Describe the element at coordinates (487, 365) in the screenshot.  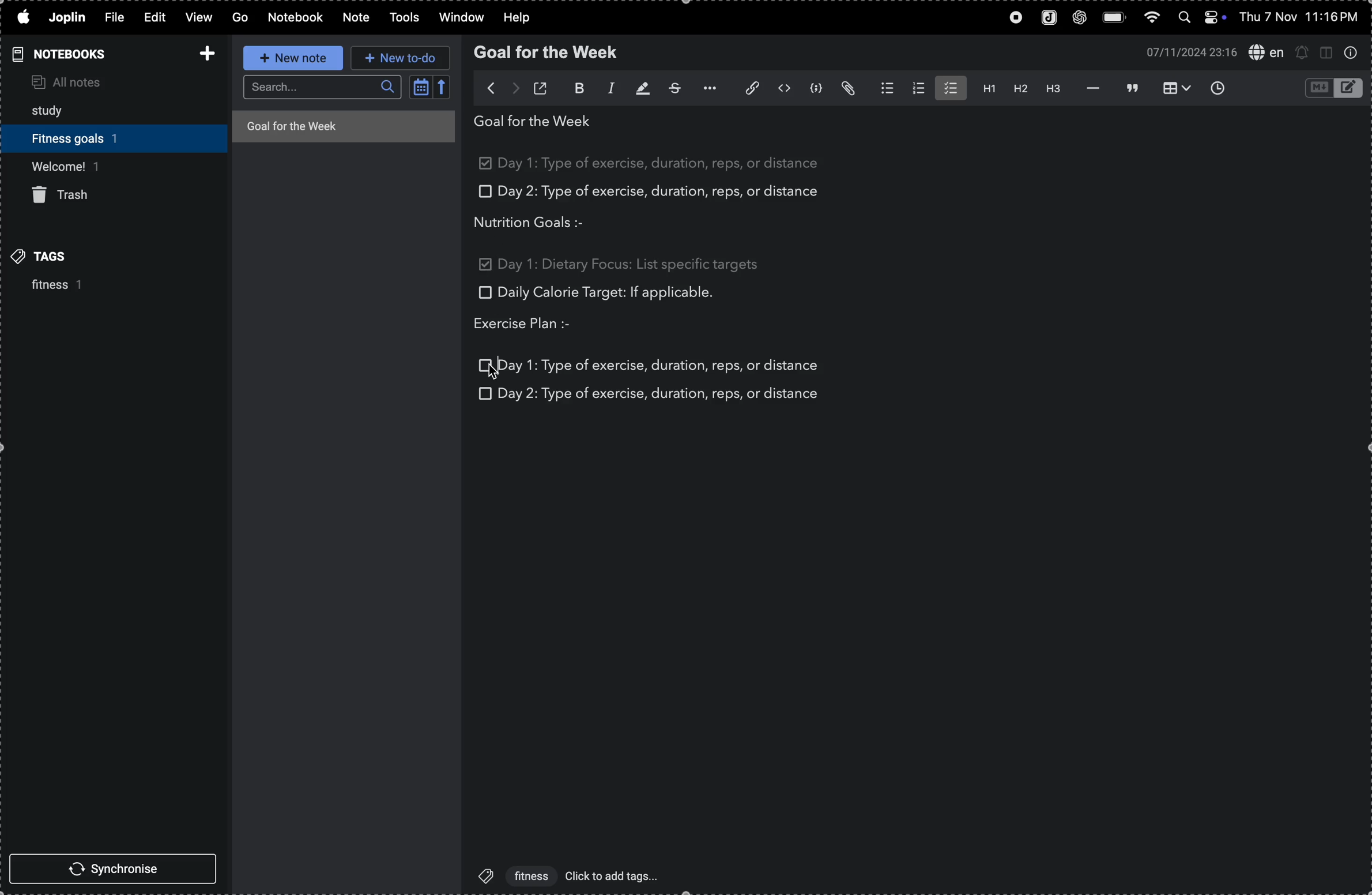
I see `checkbox` at that location.